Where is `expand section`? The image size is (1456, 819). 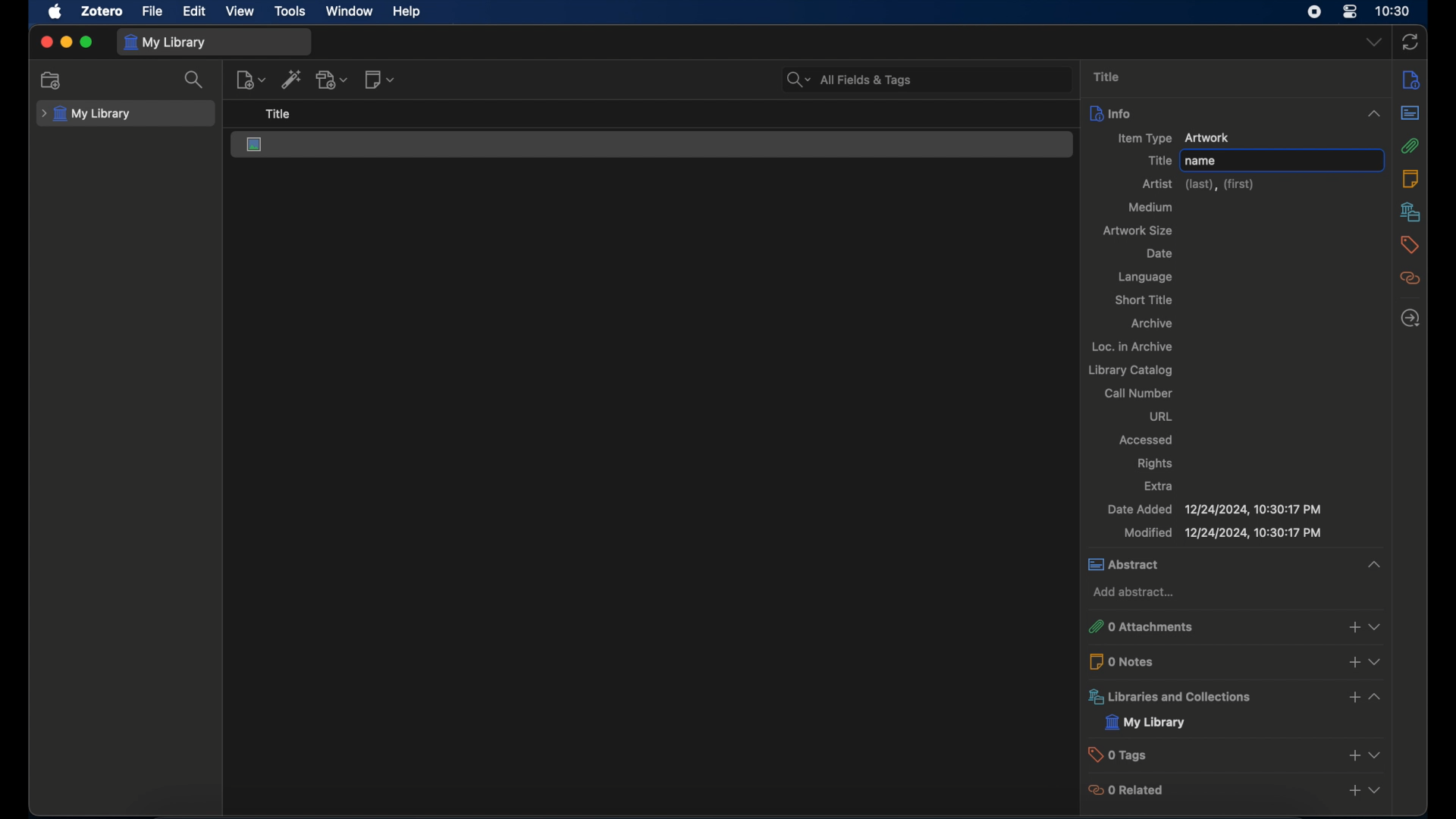
expand section is located at coordinates (1382, 701).